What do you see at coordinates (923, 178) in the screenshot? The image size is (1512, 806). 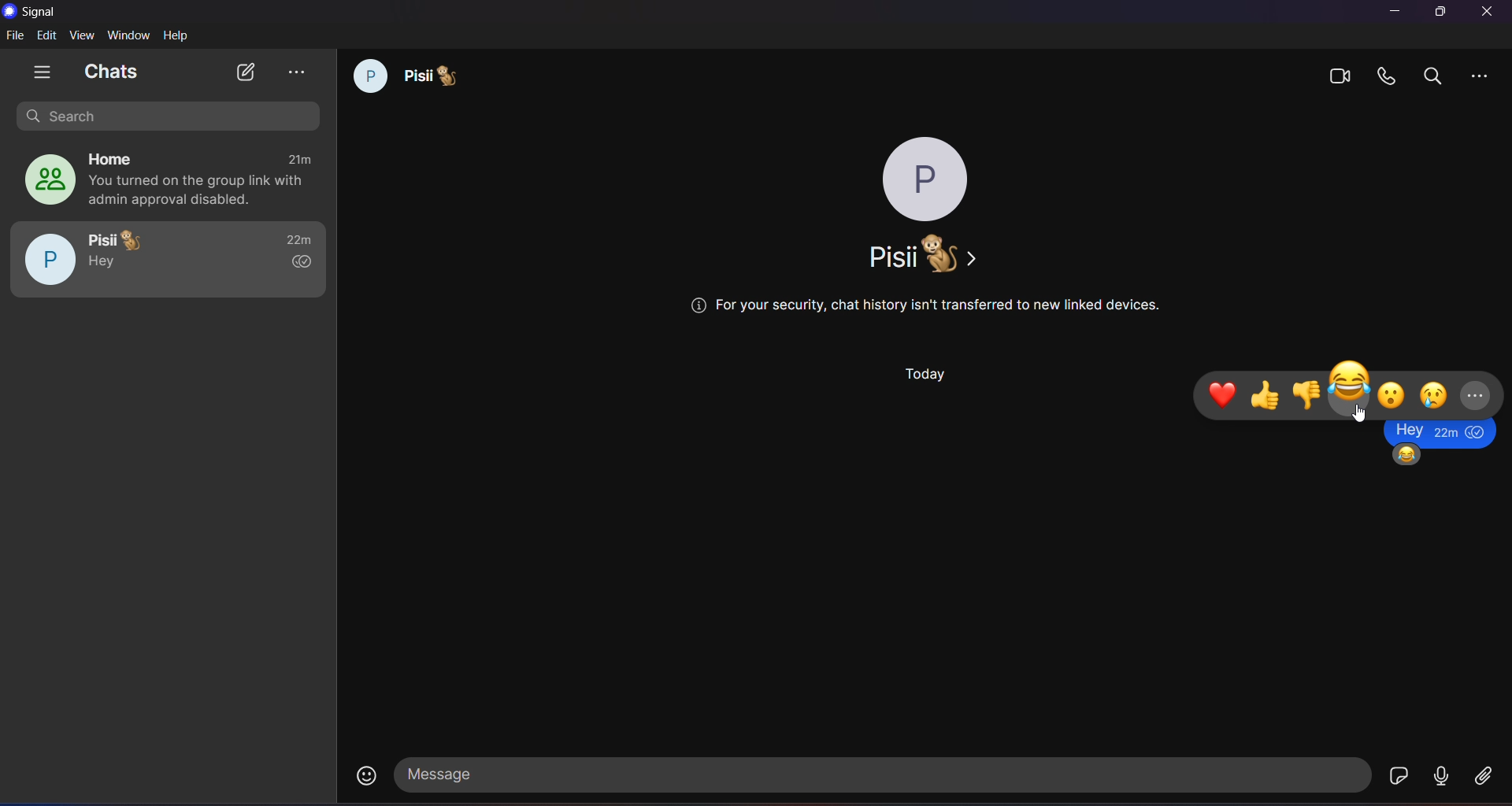 I see `profile` at bounding box center [923, 178].